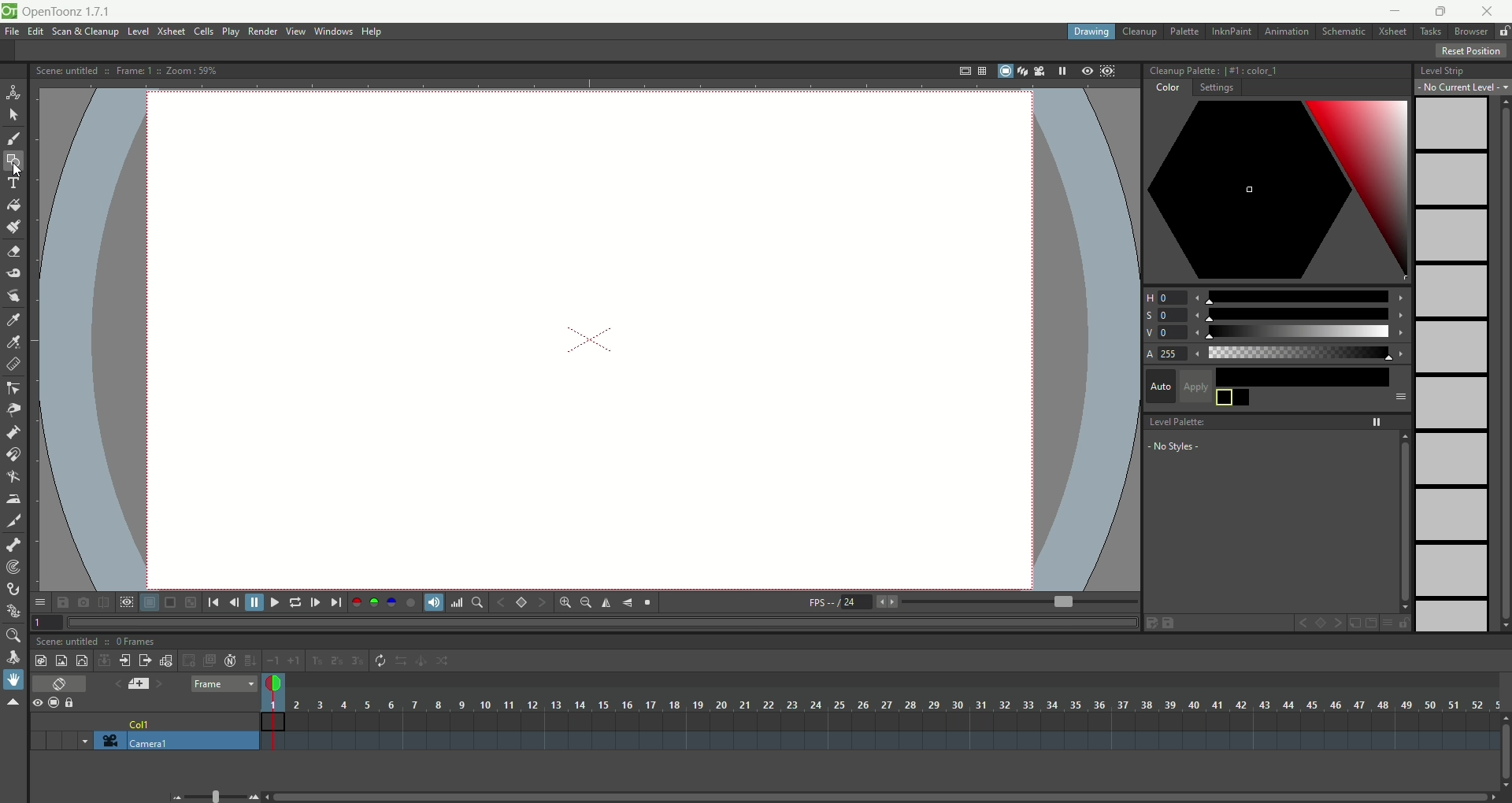 The height and width of the screenshot is (803, 1512). What do you see at coordinates (13, 703) in the screenshot?
I see `collapse toolbar` at bounding box center [13, 703].